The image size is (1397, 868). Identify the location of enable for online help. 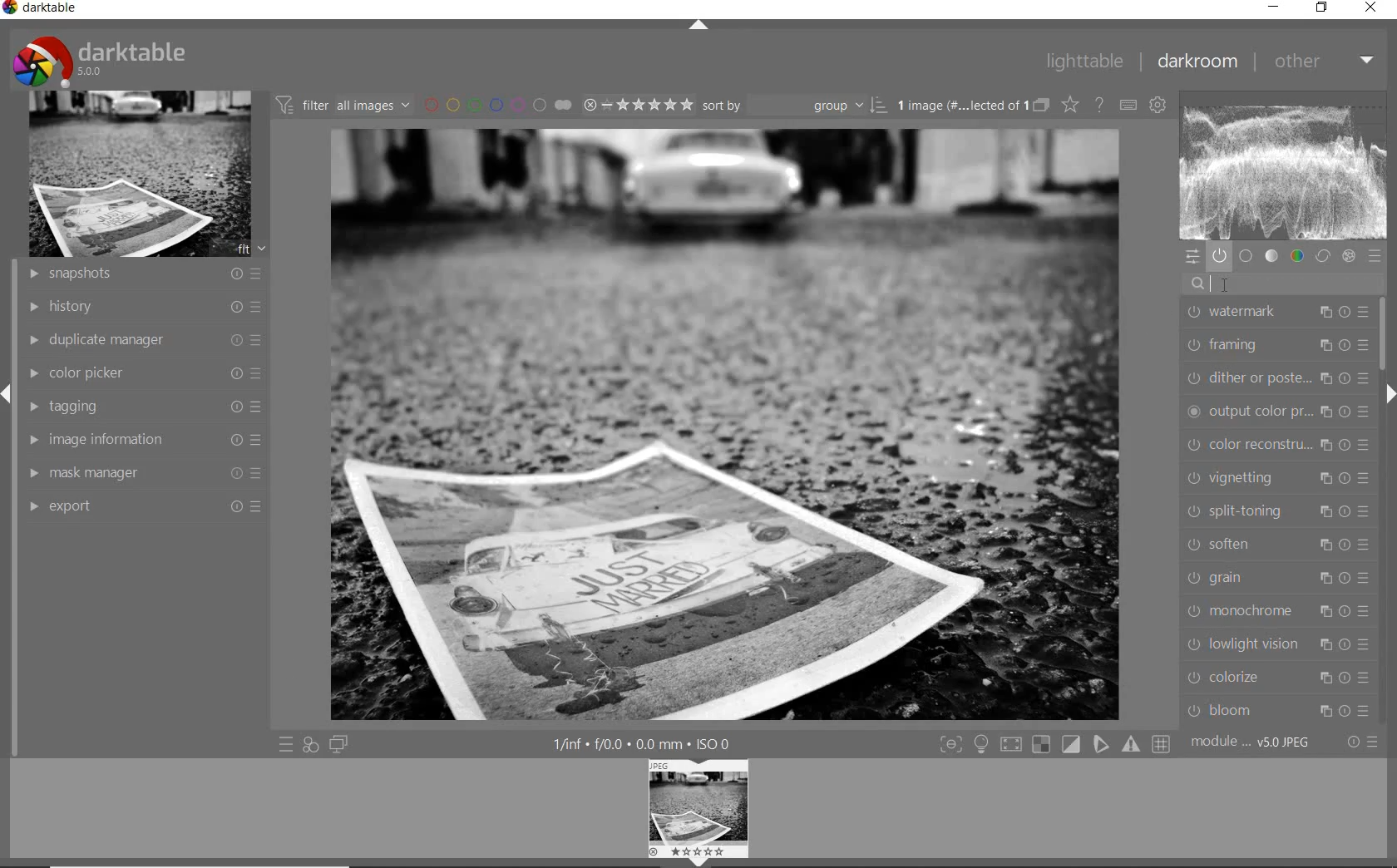
(1100, 104).